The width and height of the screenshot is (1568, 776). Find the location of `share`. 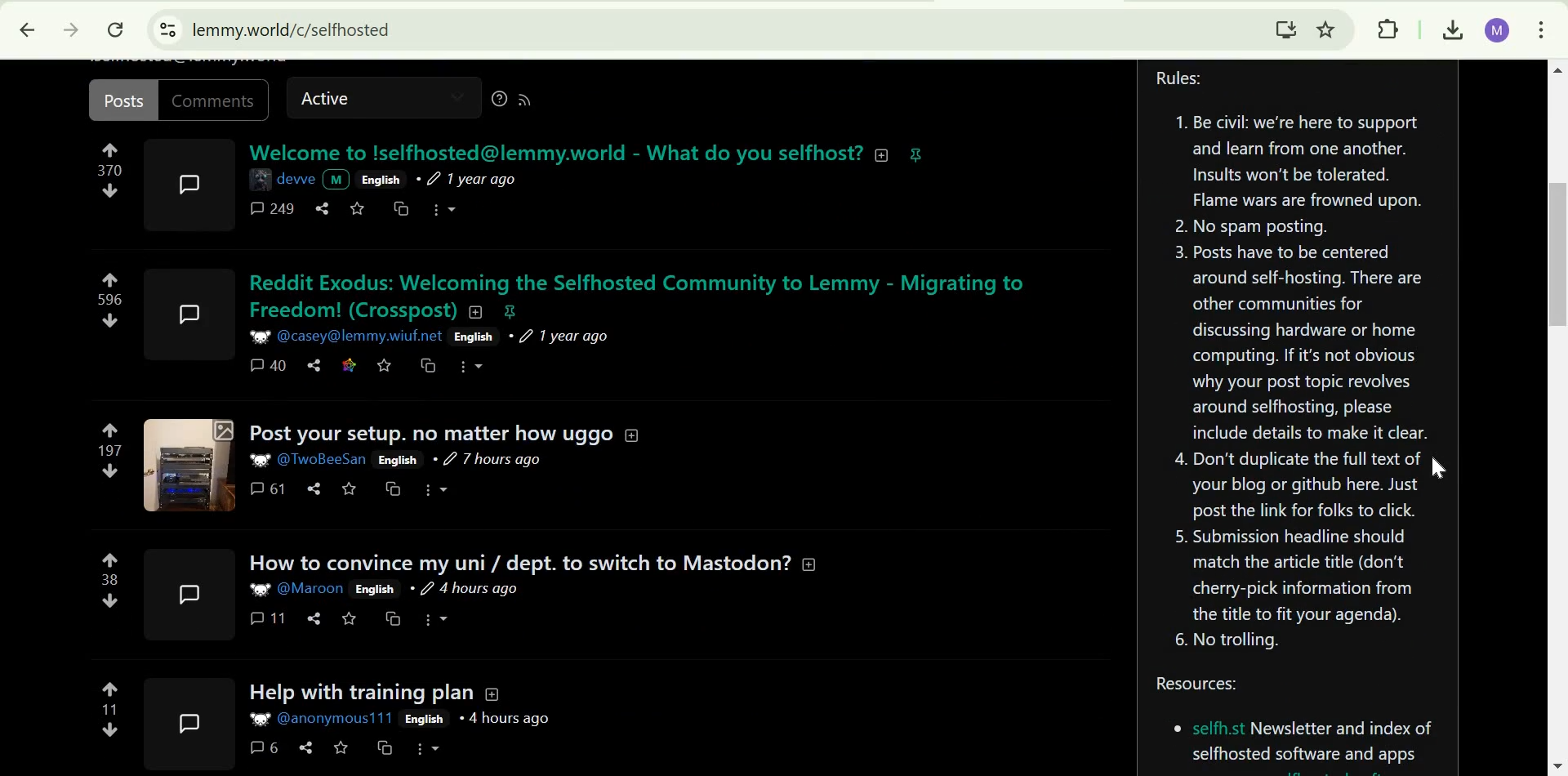

share is located at coordinates (305, 747).